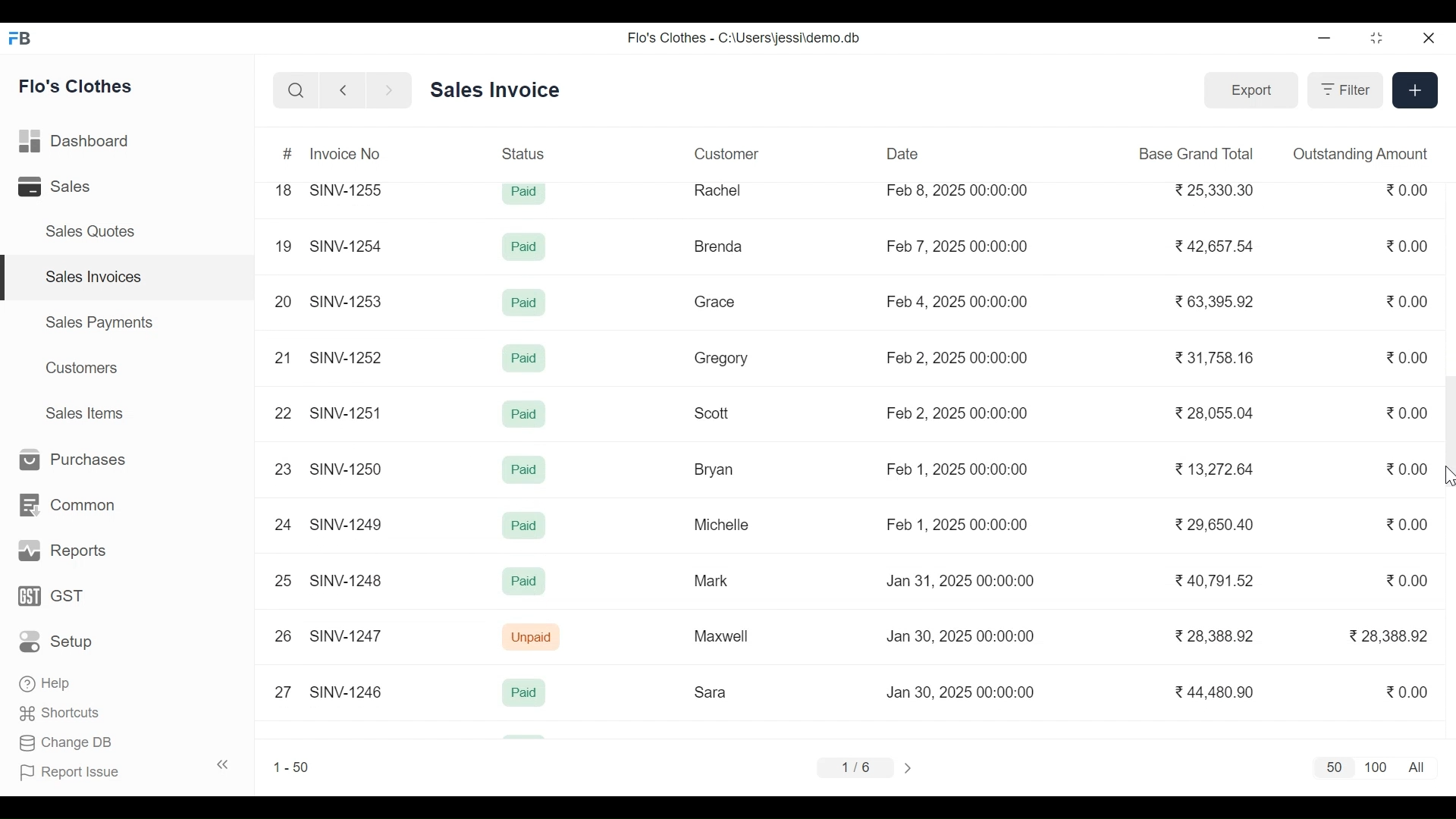 The height and width of the screenshot is (819, 1456). I want to click on Reports, so click(59, 551).